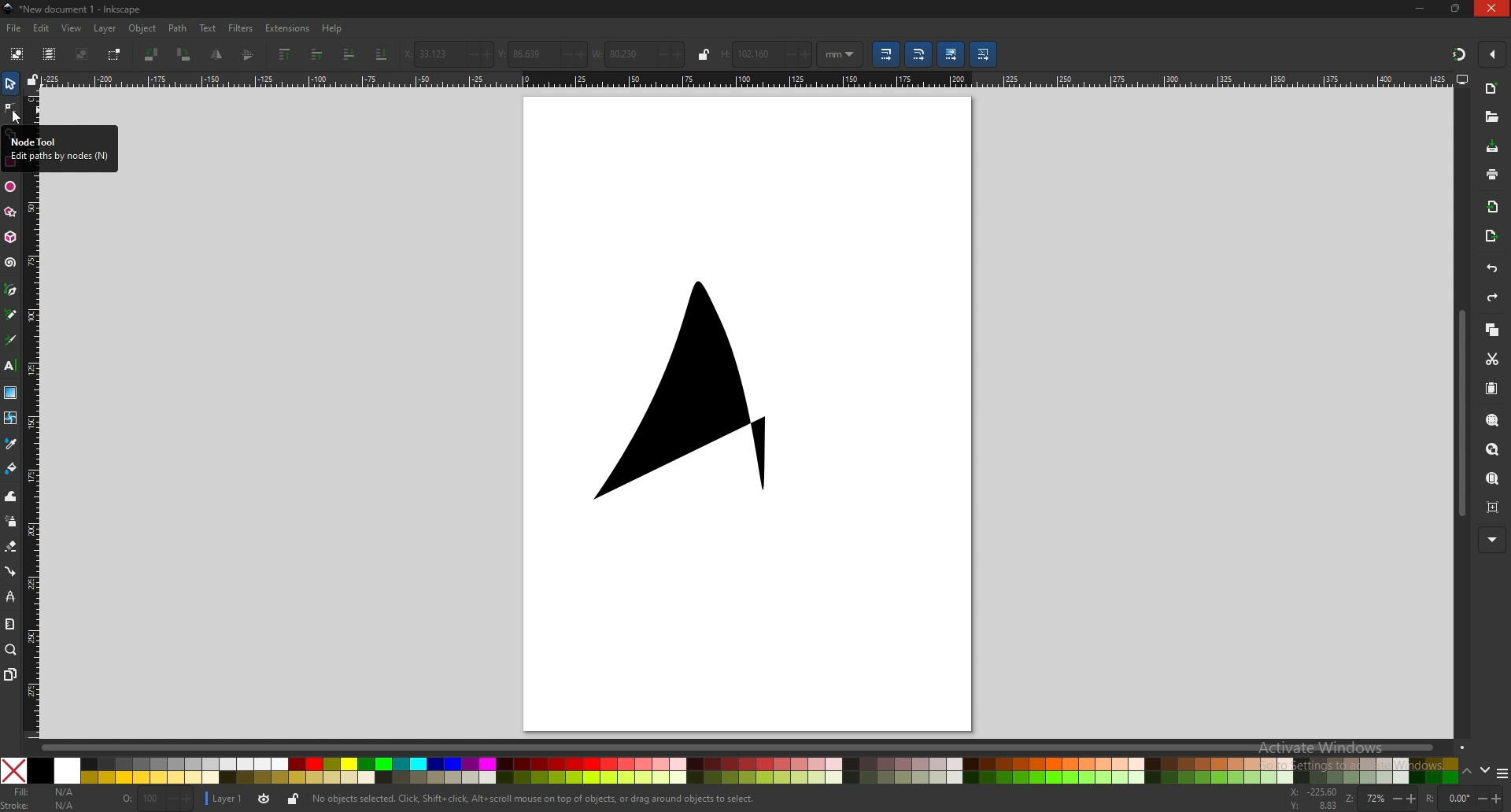 This screenshot has height=812, width=1511. What do you see at coordinates (543, 54) in the screenshot?
I see `vertical coordinate` at bounding box center [543, 54].